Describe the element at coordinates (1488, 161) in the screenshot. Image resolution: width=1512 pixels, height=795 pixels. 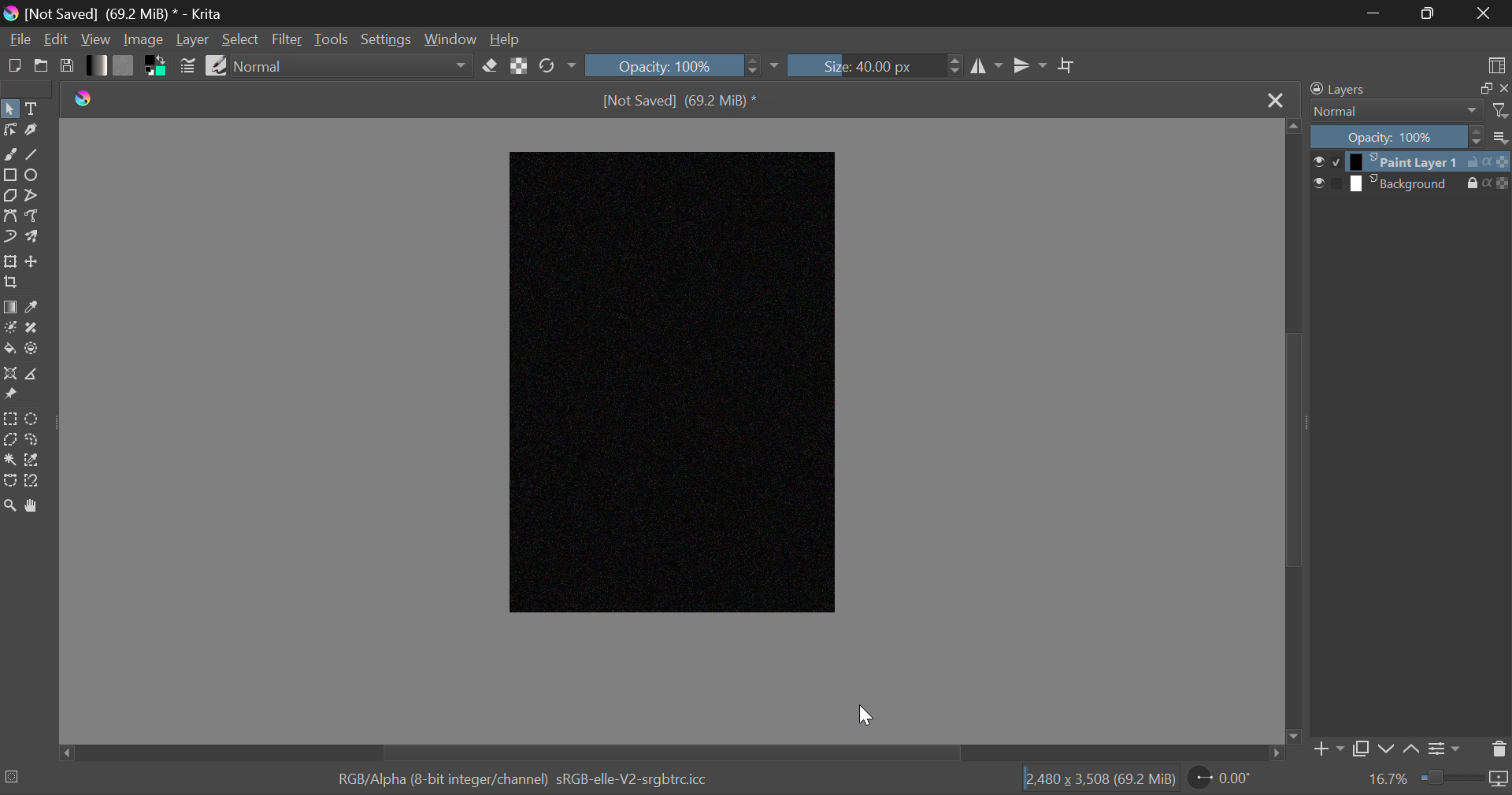
I see `alpha` at that location.